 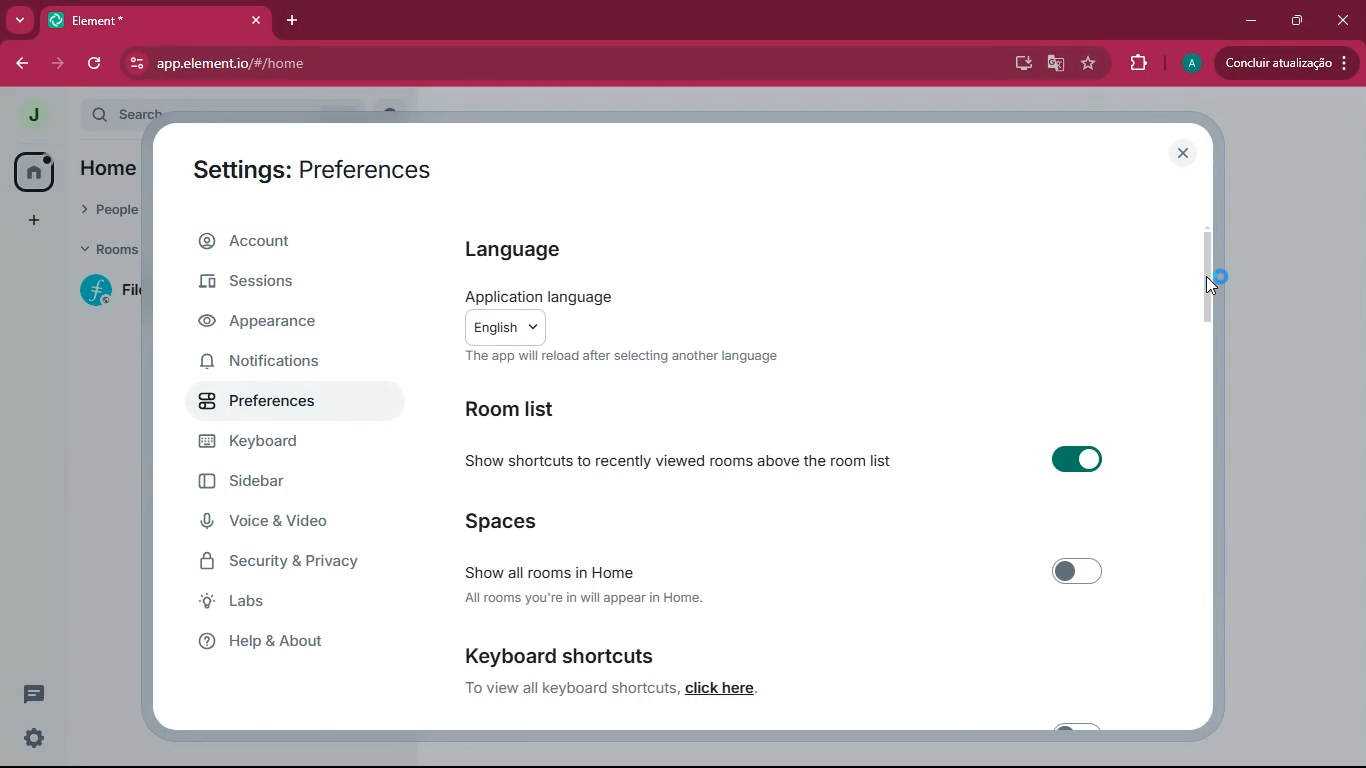 I want to click on Close, so click(x=1344, y=20).